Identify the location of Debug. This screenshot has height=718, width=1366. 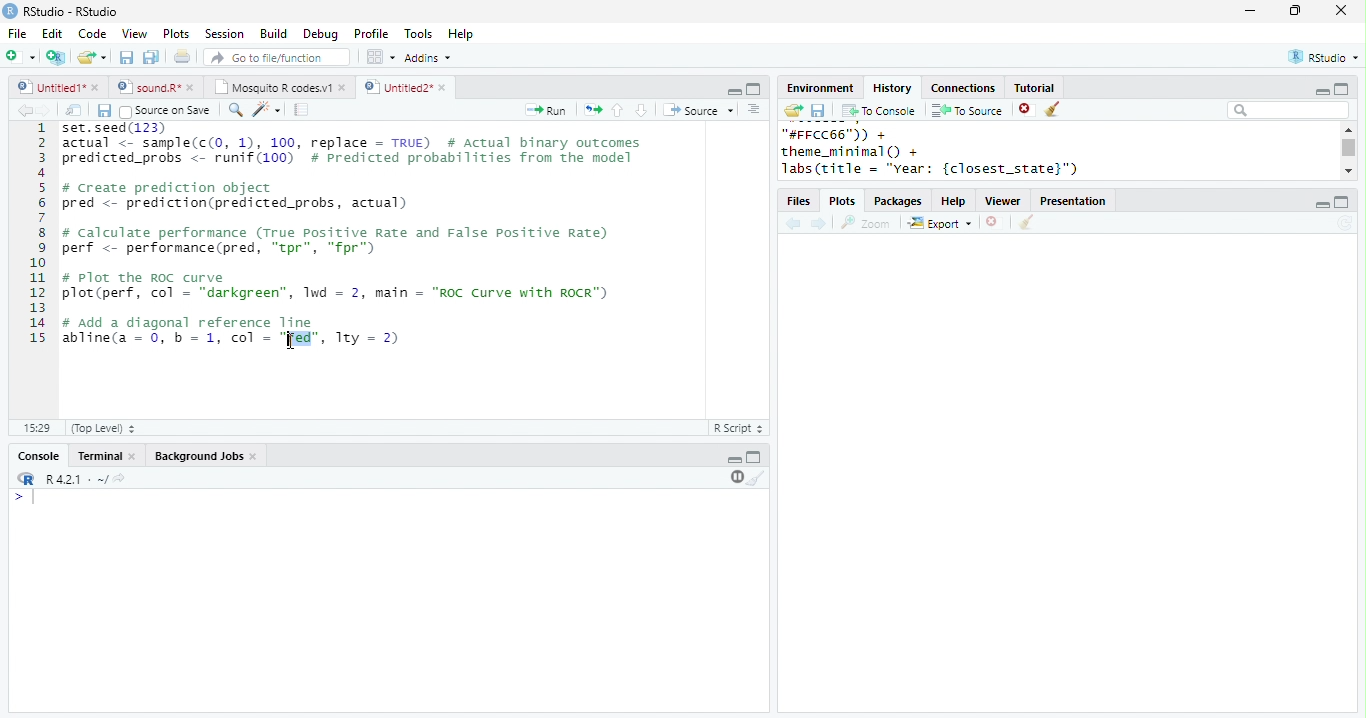
(323, 35).